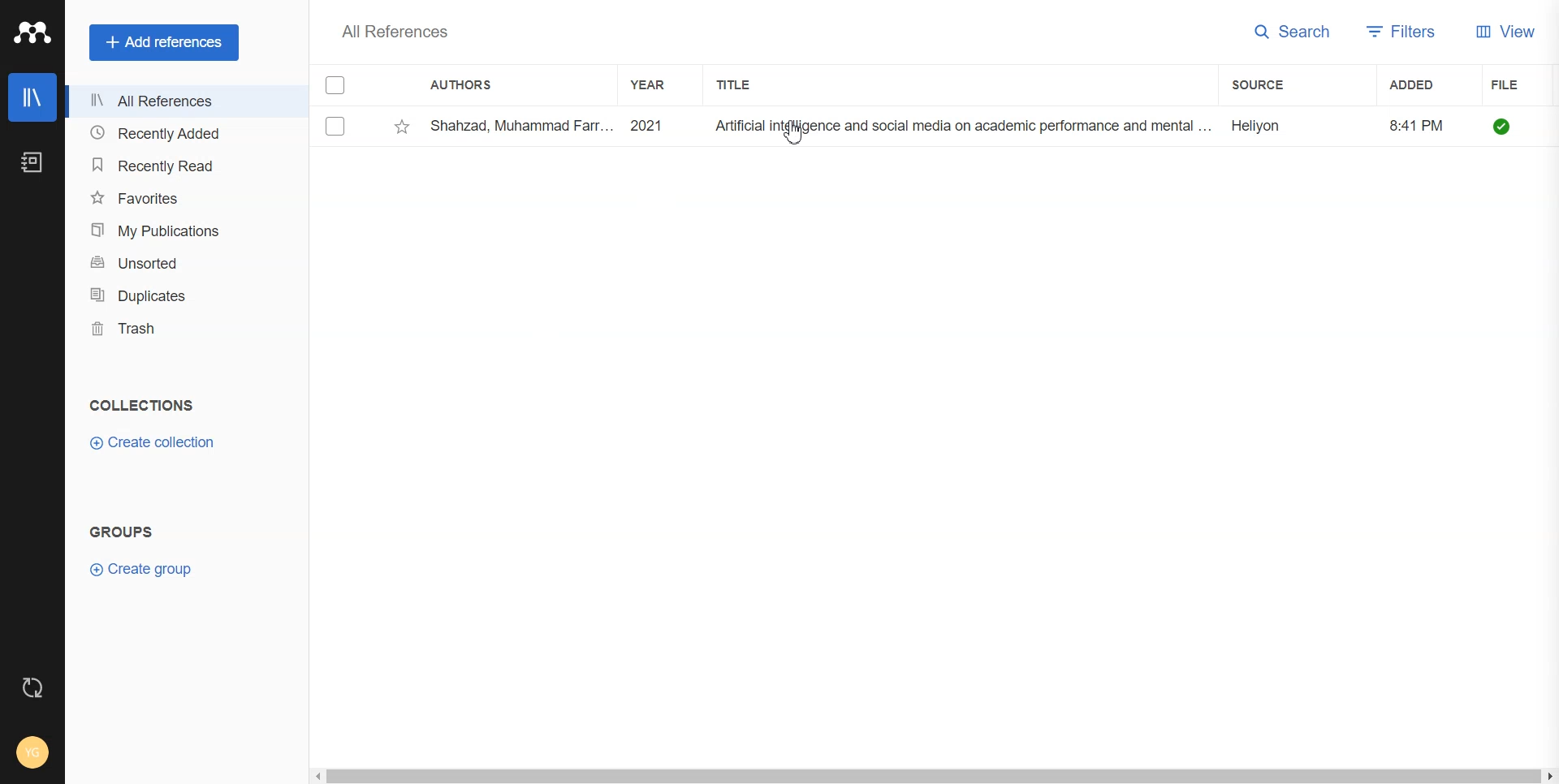 The image size is (1559, 784). Describe the element at coordinates (658, 124) in the screenshot. I see `2021` at that location.